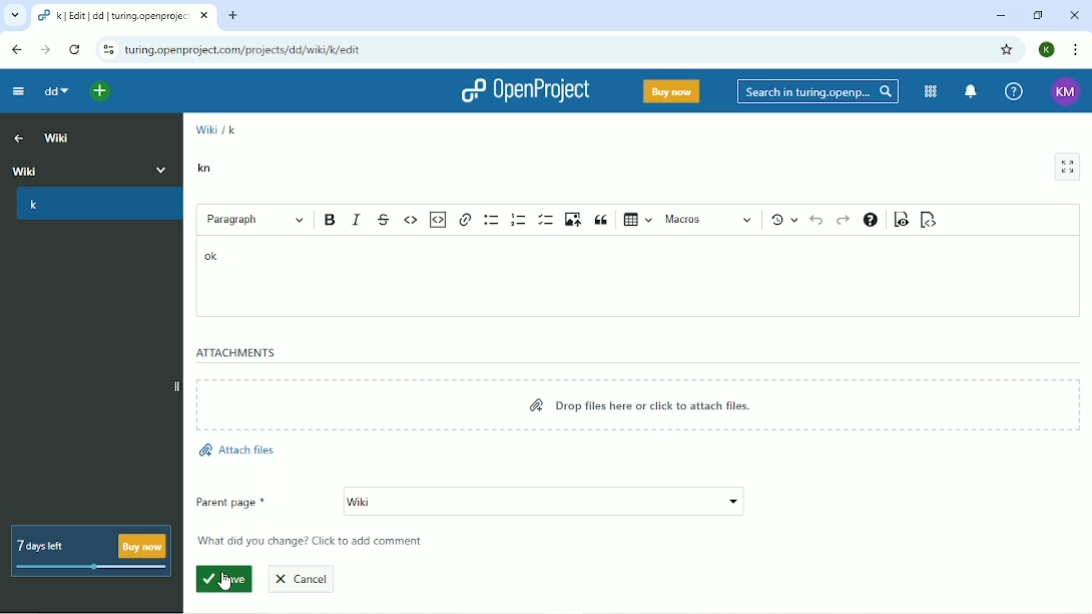 The width and height of the screenshot is (1092, 614). I want to click on Collapse project menu, so click(17, 93).